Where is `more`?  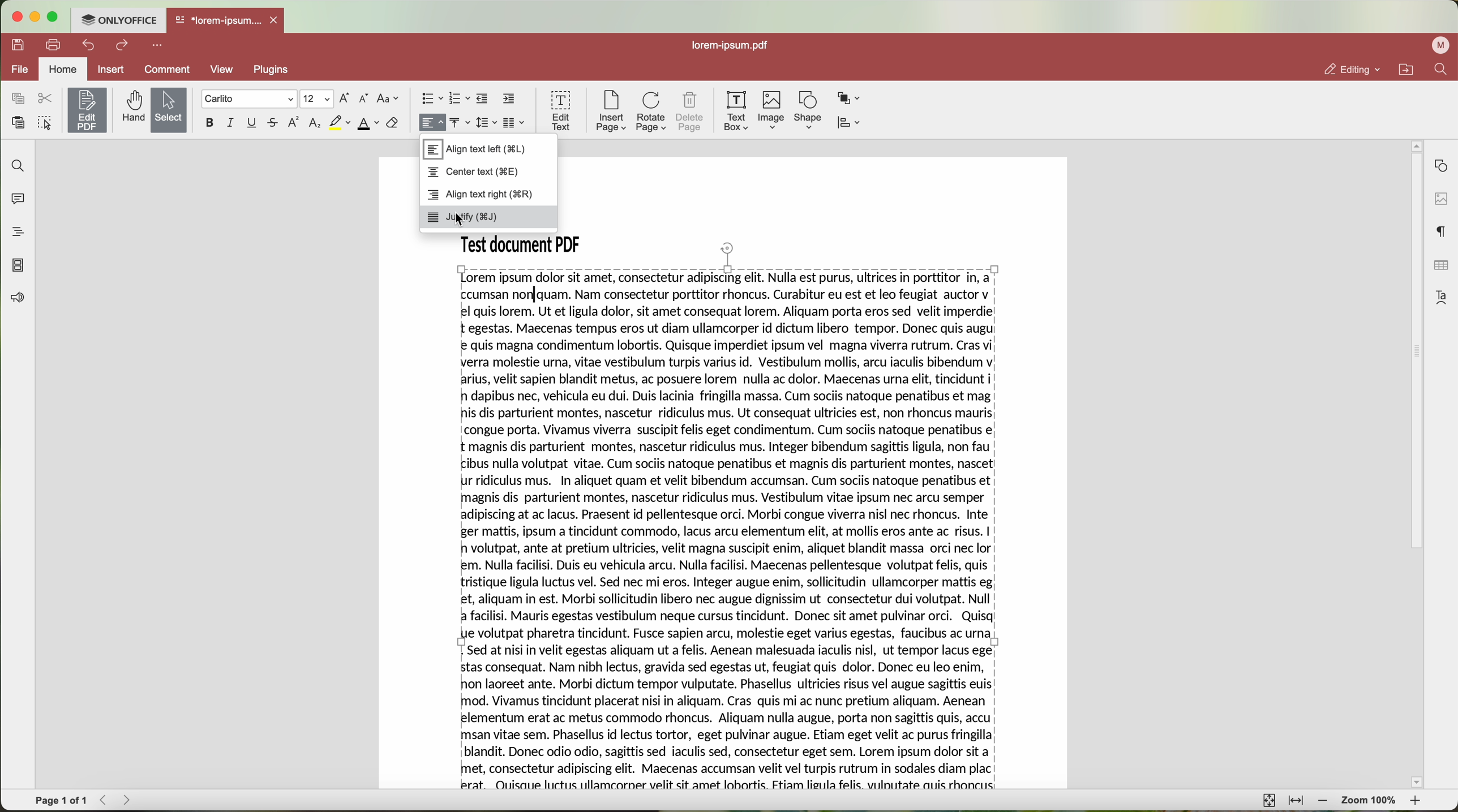
more is located at coordinates (157, 46).